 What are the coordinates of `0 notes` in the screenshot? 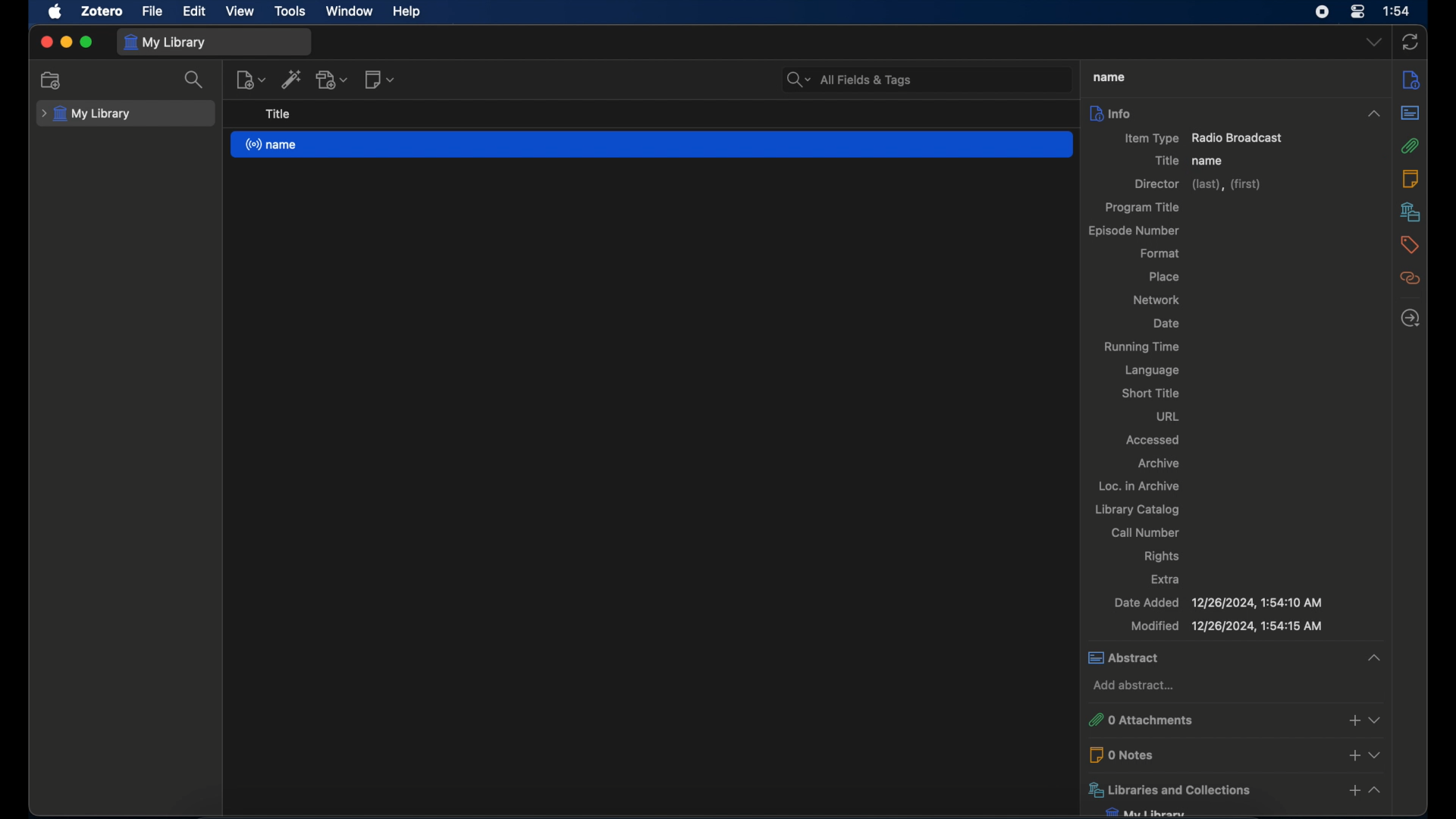 It's located at (1238, 754).